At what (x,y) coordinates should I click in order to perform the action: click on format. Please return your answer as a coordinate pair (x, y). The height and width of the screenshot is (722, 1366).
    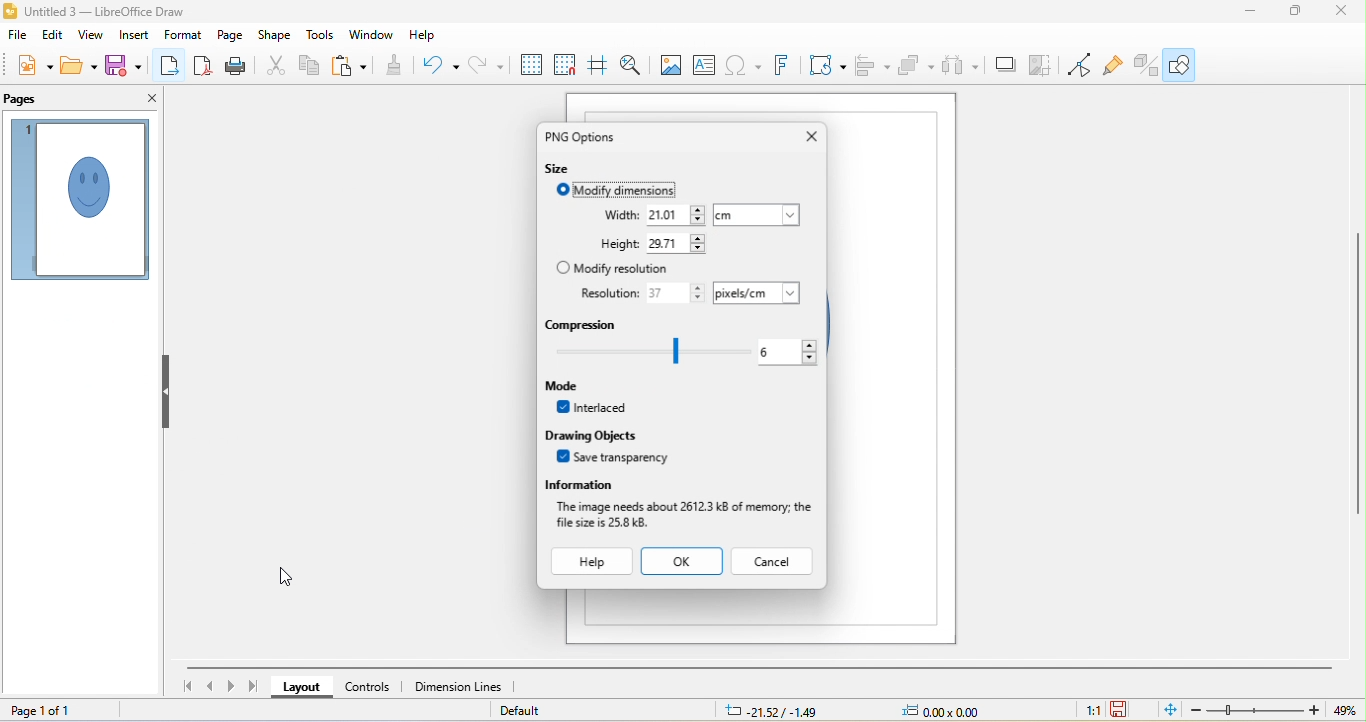
    Looking at the image, I should click on (181, 35).